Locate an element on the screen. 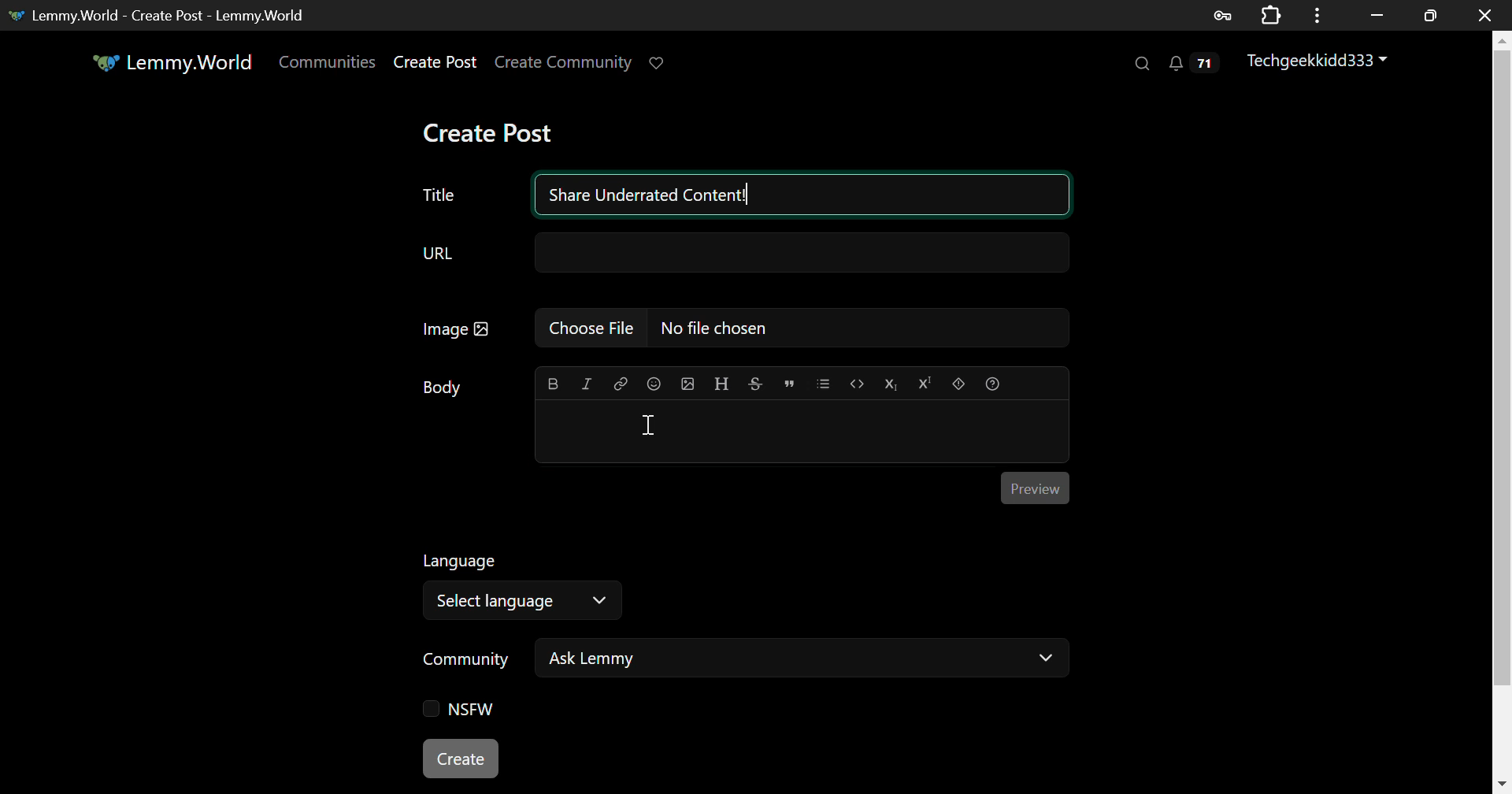 Image resolution: width=1512 pixels, height=794 pixels. Image Field is located at coordinates (738, 334).